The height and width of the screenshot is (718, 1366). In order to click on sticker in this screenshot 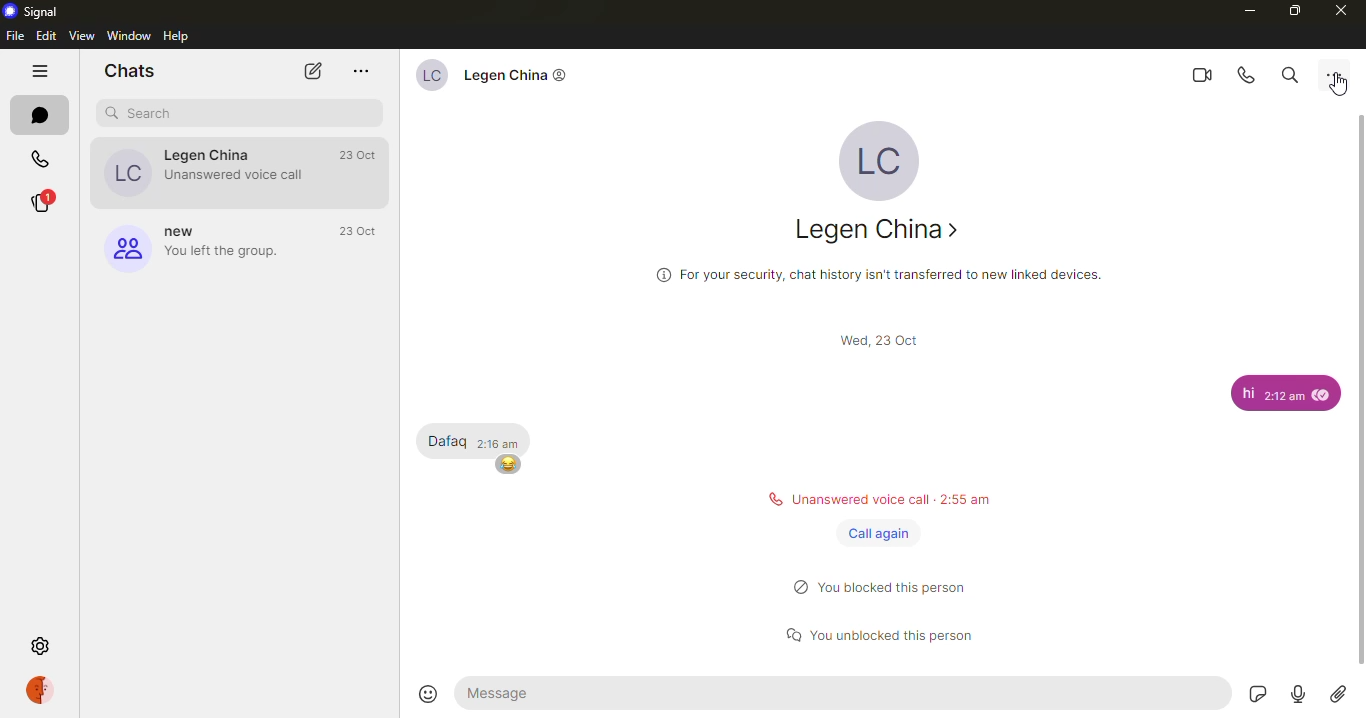, I will do `click(1257, 696)`.